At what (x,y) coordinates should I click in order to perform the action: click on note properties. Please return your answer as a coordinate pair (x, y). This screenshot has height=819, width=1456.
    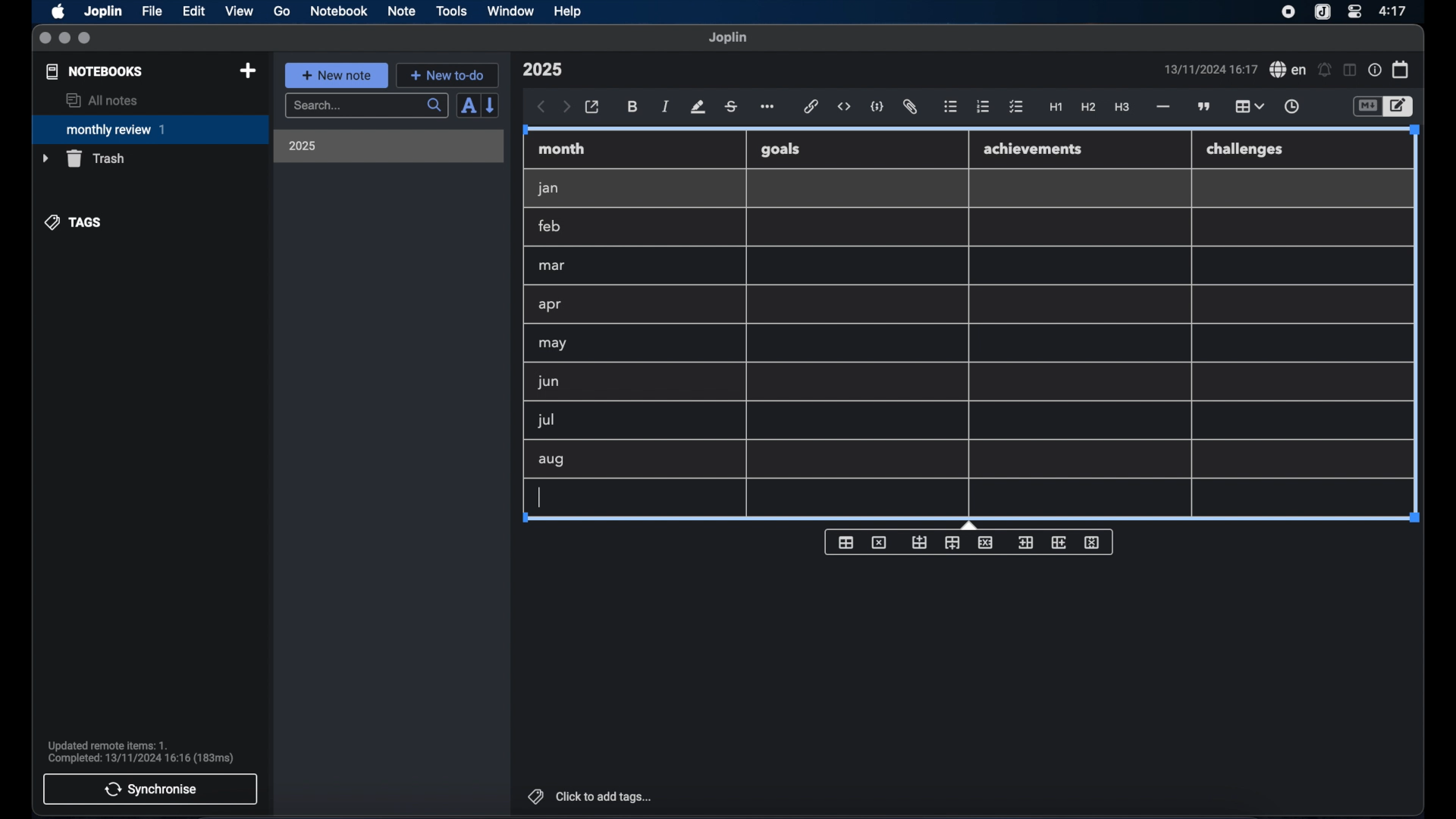
    Looking at the image, I should click on (1375, 71).